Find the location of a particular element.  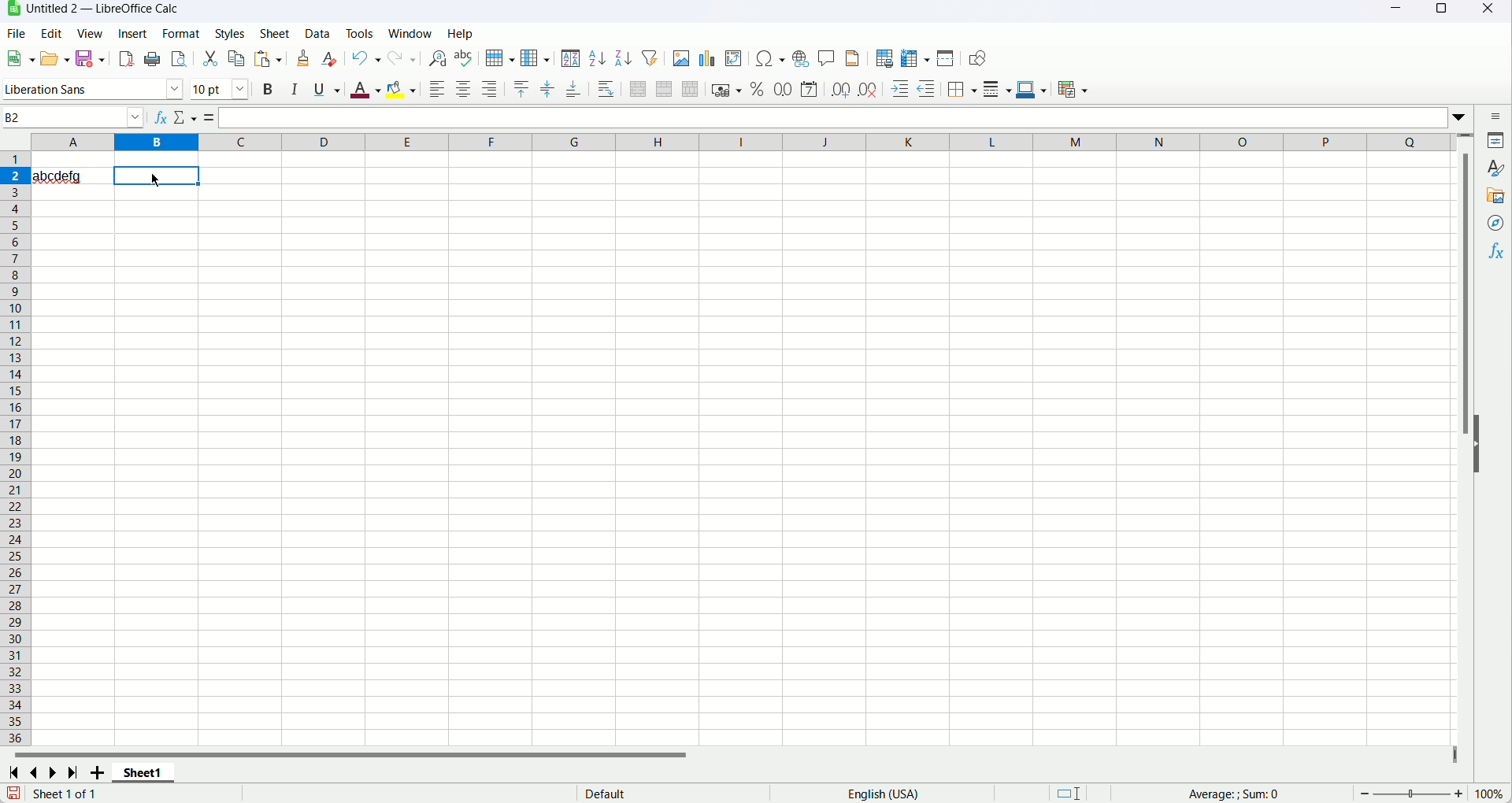

center vertically is located at coordinates (547, 89).